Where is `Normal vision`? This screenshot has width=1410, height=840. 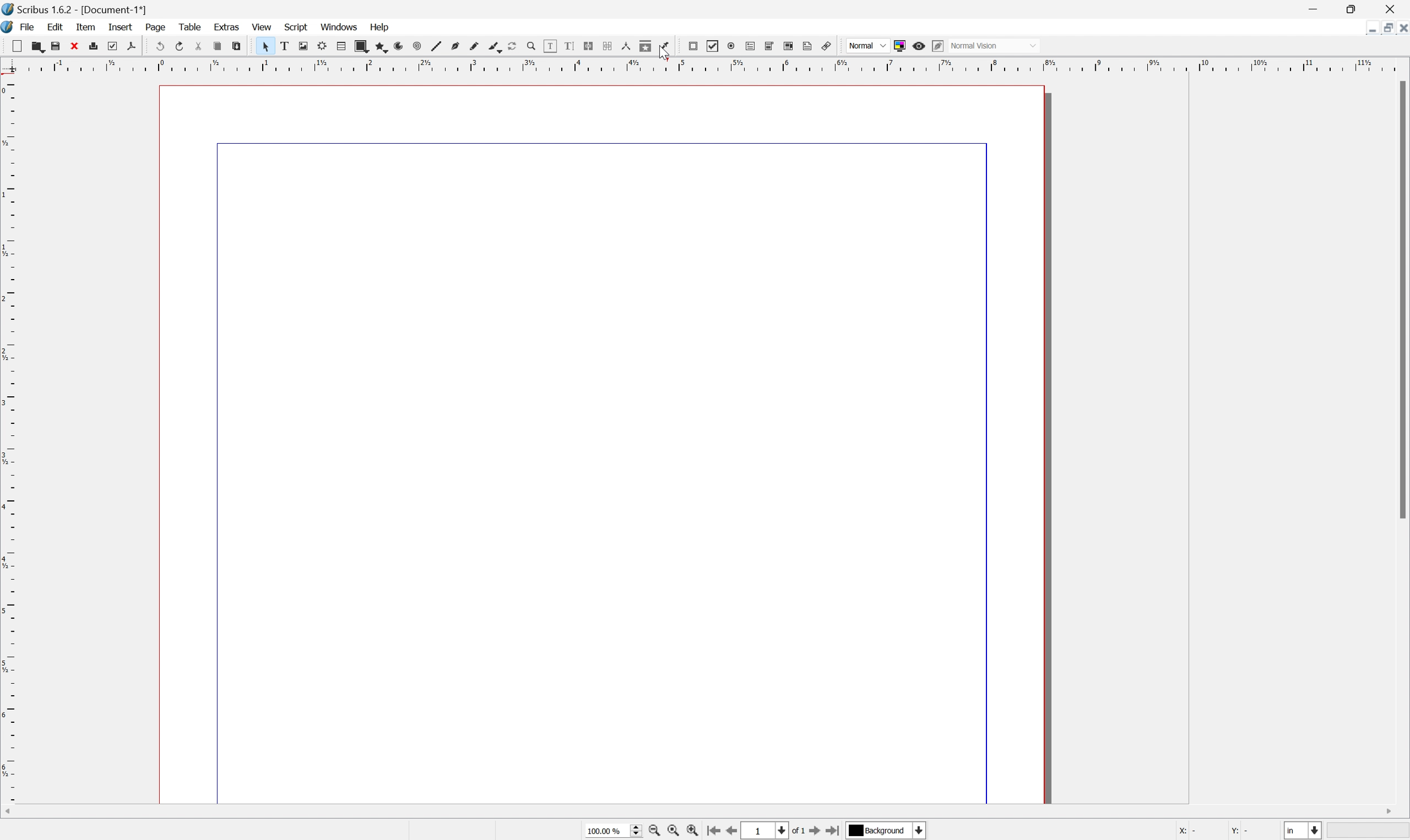
Normal vision is located at coordinates (1004, 45).